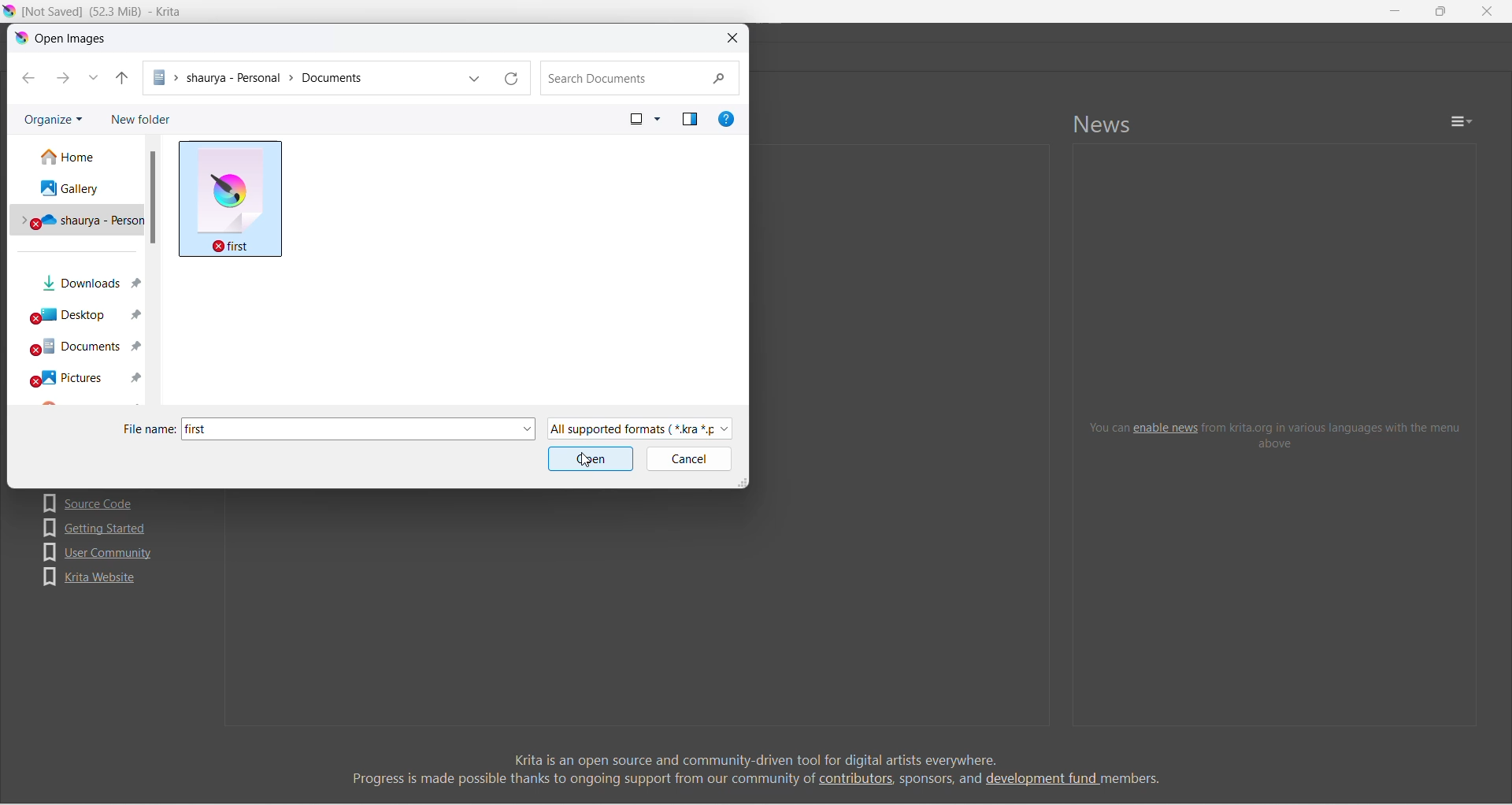 The height and width of the screenshot is (805, 1512). What do you see at coordinates (140, 118) in the screenshot?
I see `new folder` at bounding box center [140, 118].